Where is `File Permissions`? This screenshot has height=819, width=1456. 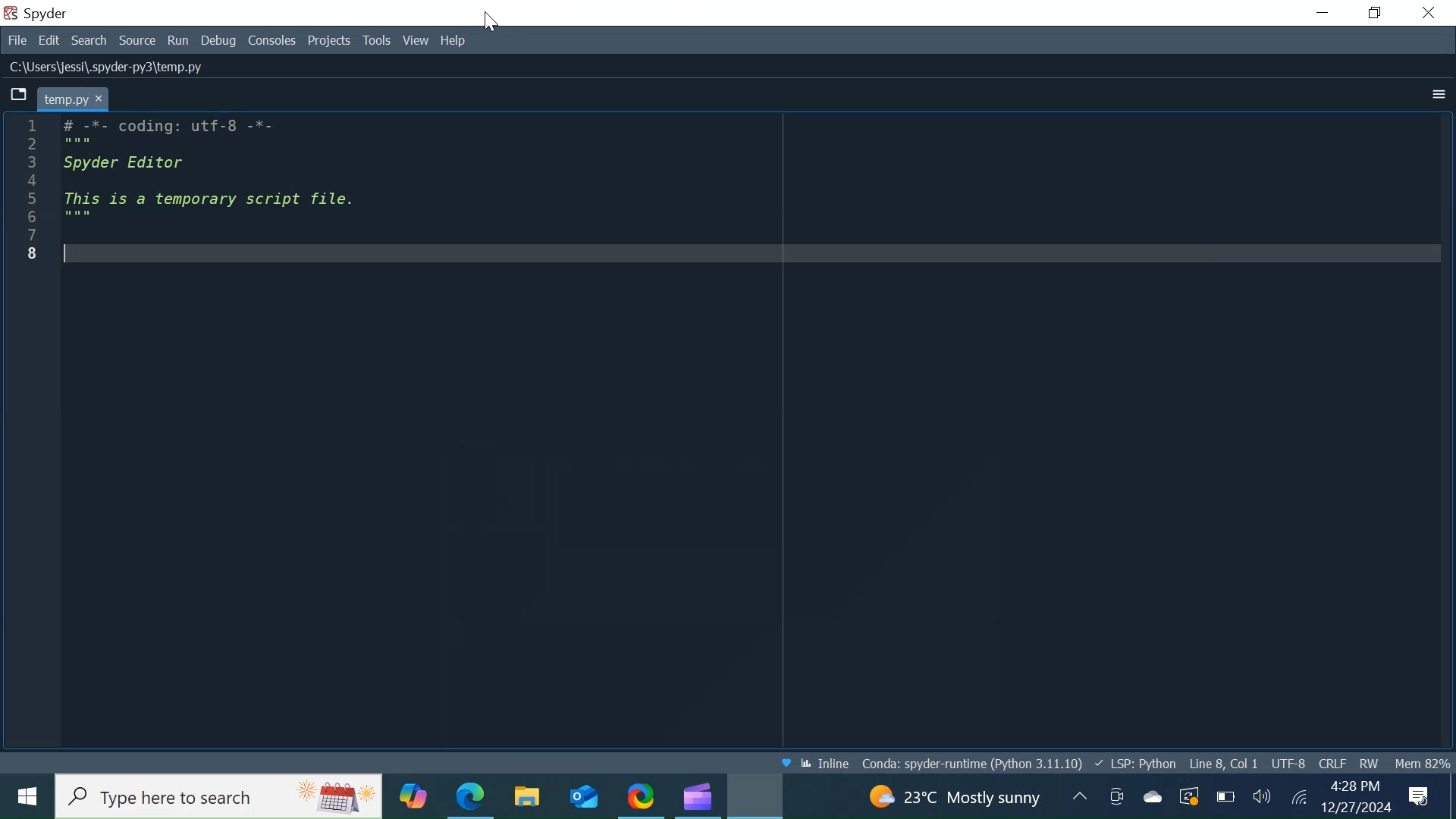 File Permissions is located at coordinates (1371, 764).